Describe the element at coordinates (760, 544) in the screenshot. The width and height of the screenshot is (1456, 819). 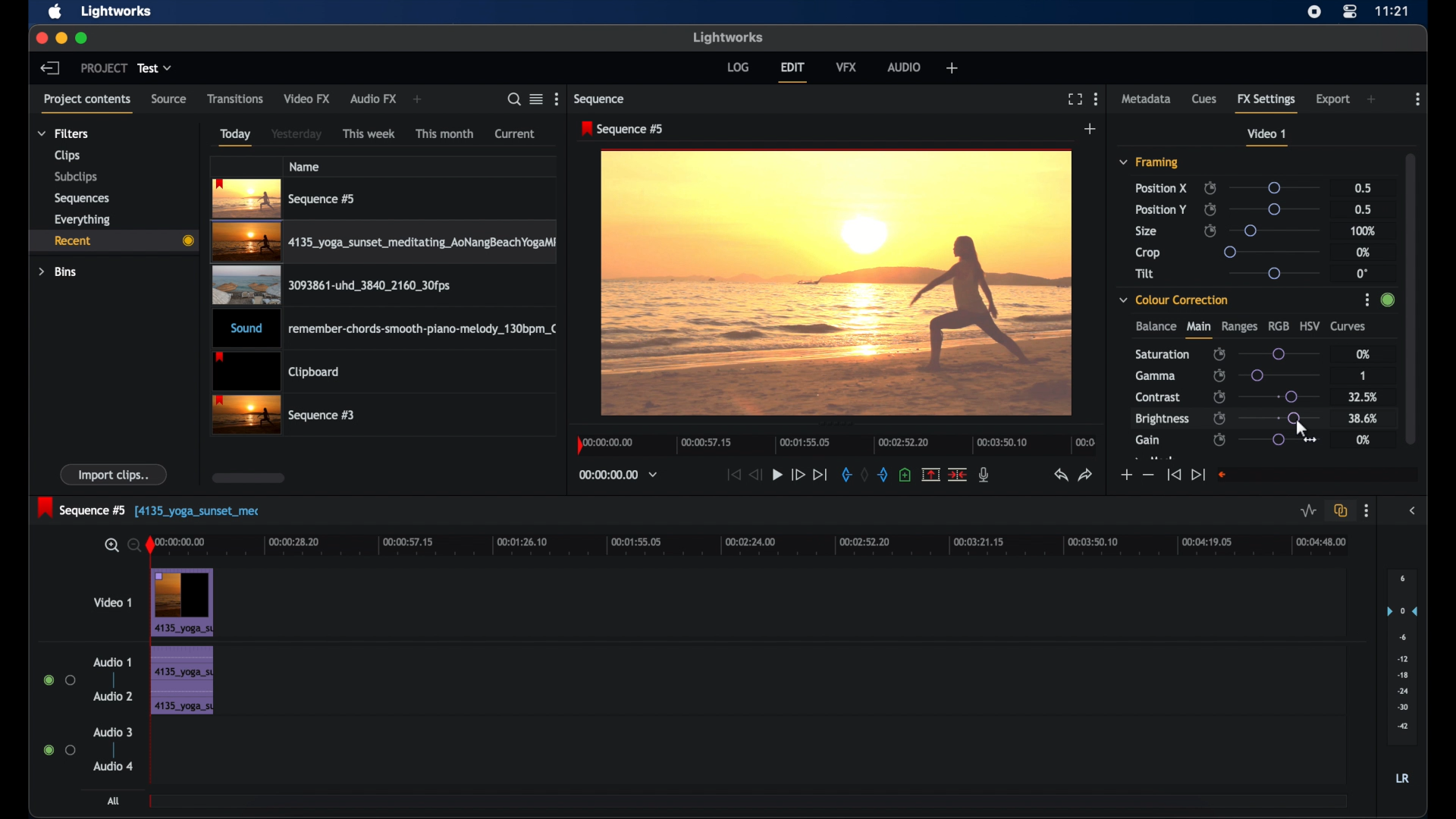
I see `timeline scale` at that location.